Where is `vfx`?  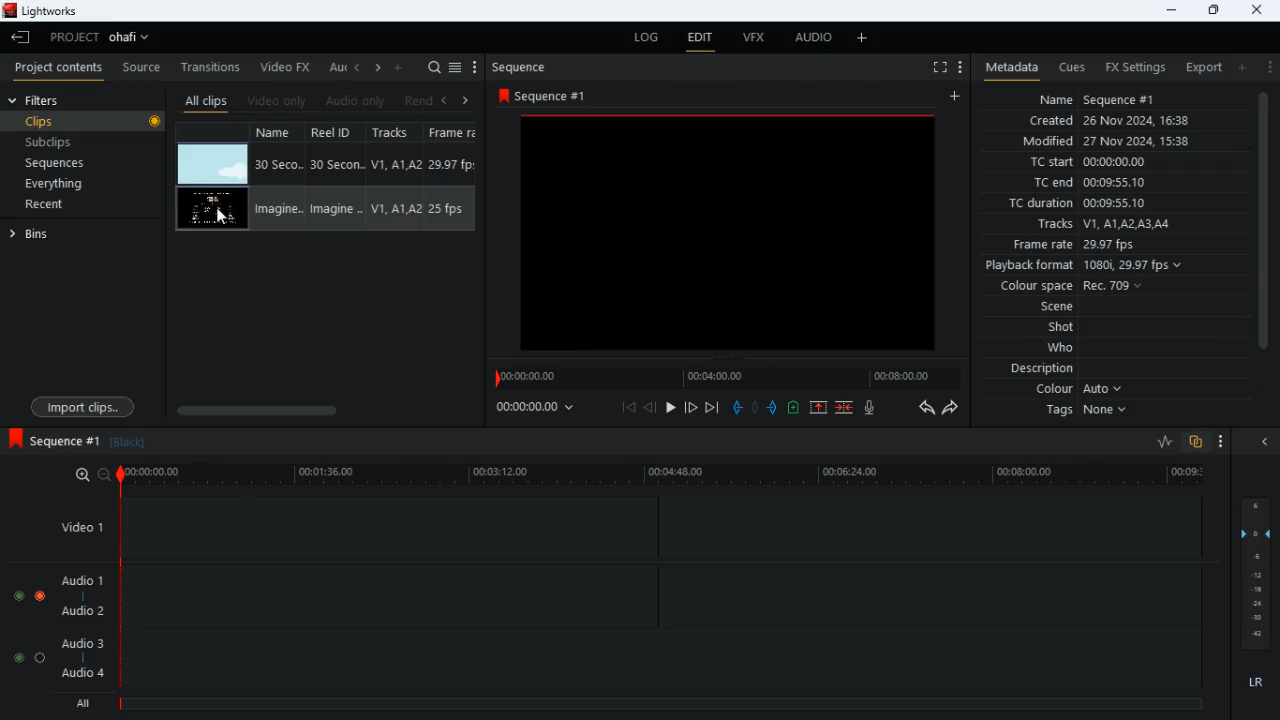 vfx is located at coordinates (750, 38).